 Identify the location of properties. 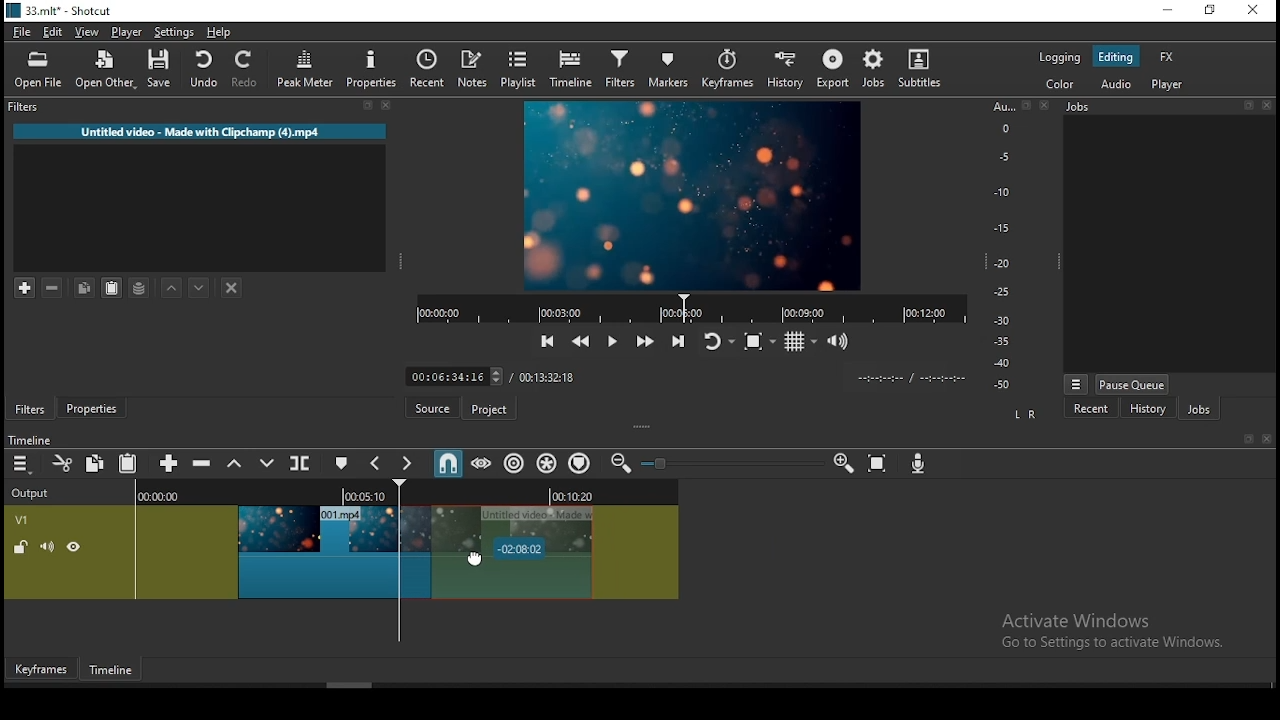
(375, 69).